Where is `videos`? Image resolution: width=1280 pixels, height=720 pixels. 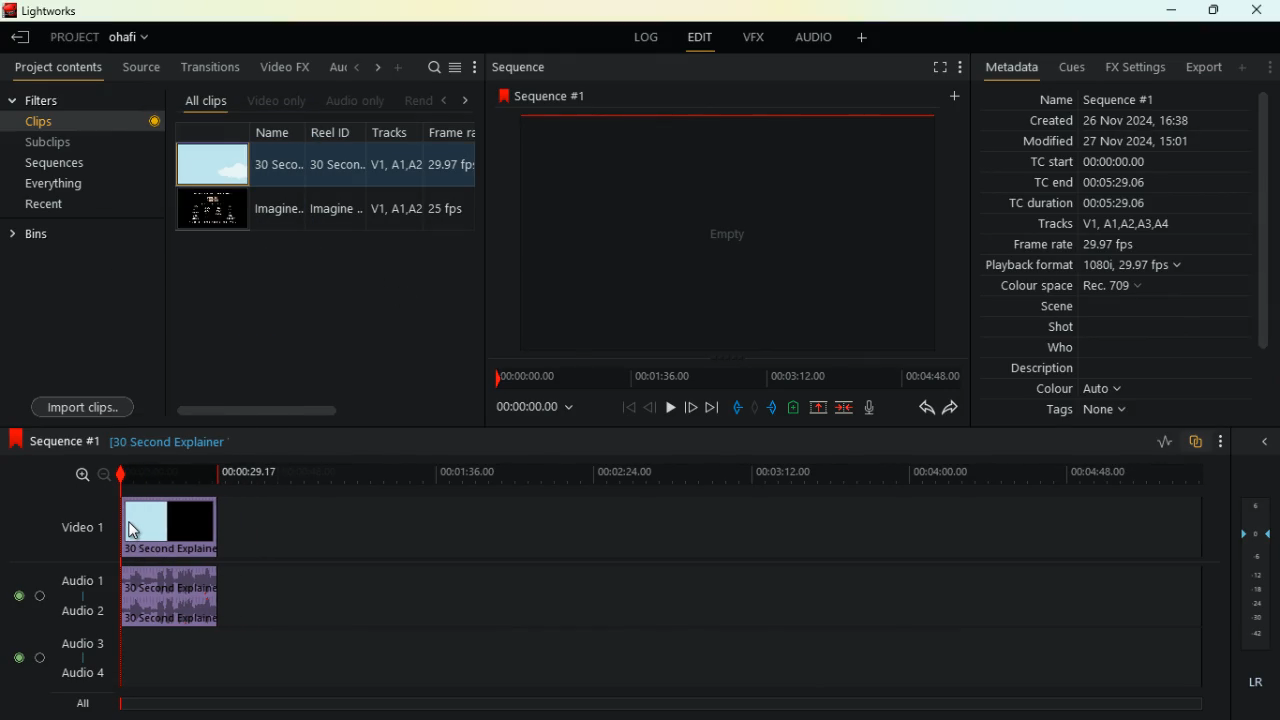 videos is located at coordinates (215, 207).